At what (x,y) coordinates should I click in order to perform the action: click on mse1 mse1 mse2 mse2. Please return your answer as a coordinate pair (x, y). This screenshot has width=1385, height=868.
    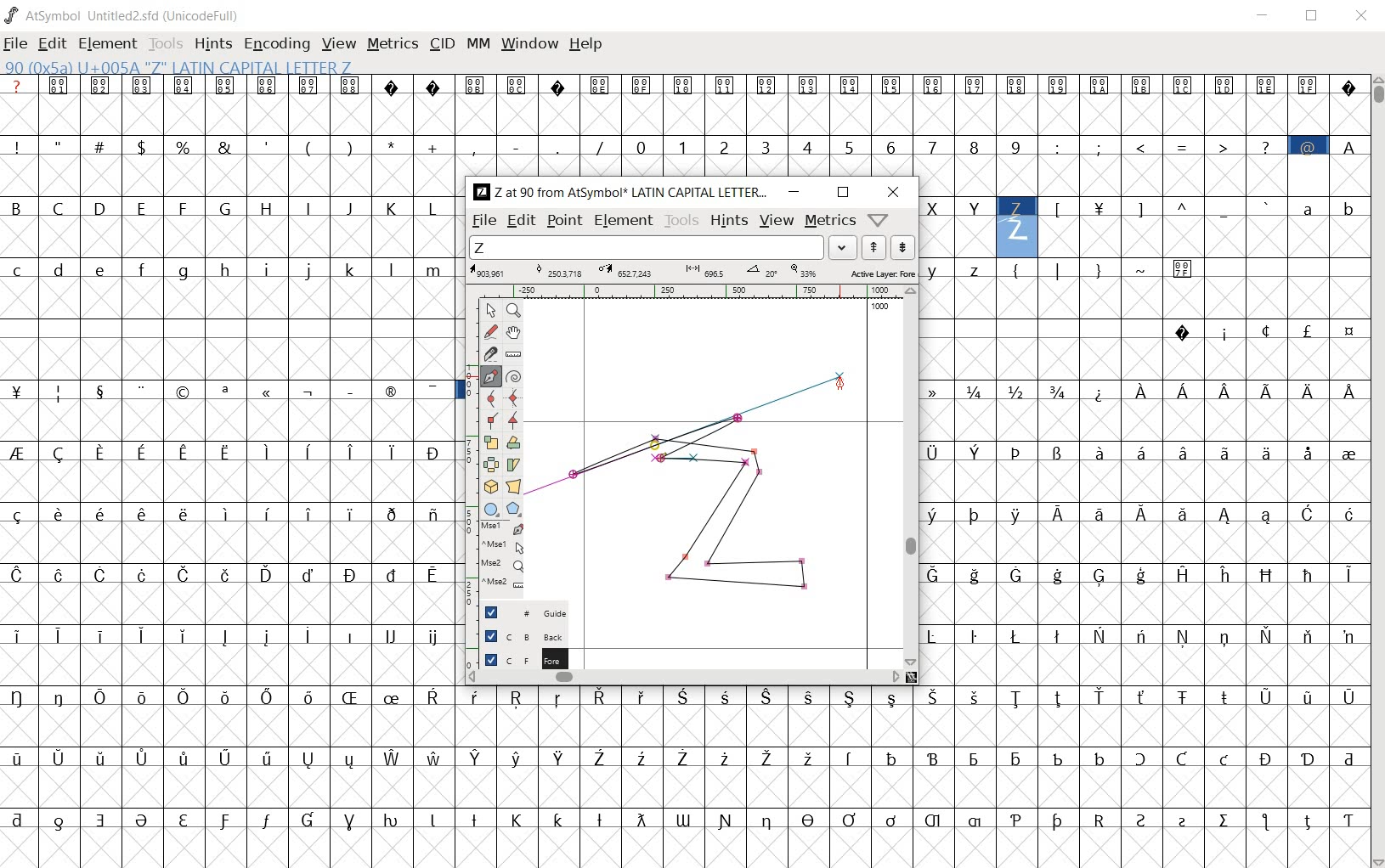
    Looking at the image, I should click on (494, 561).